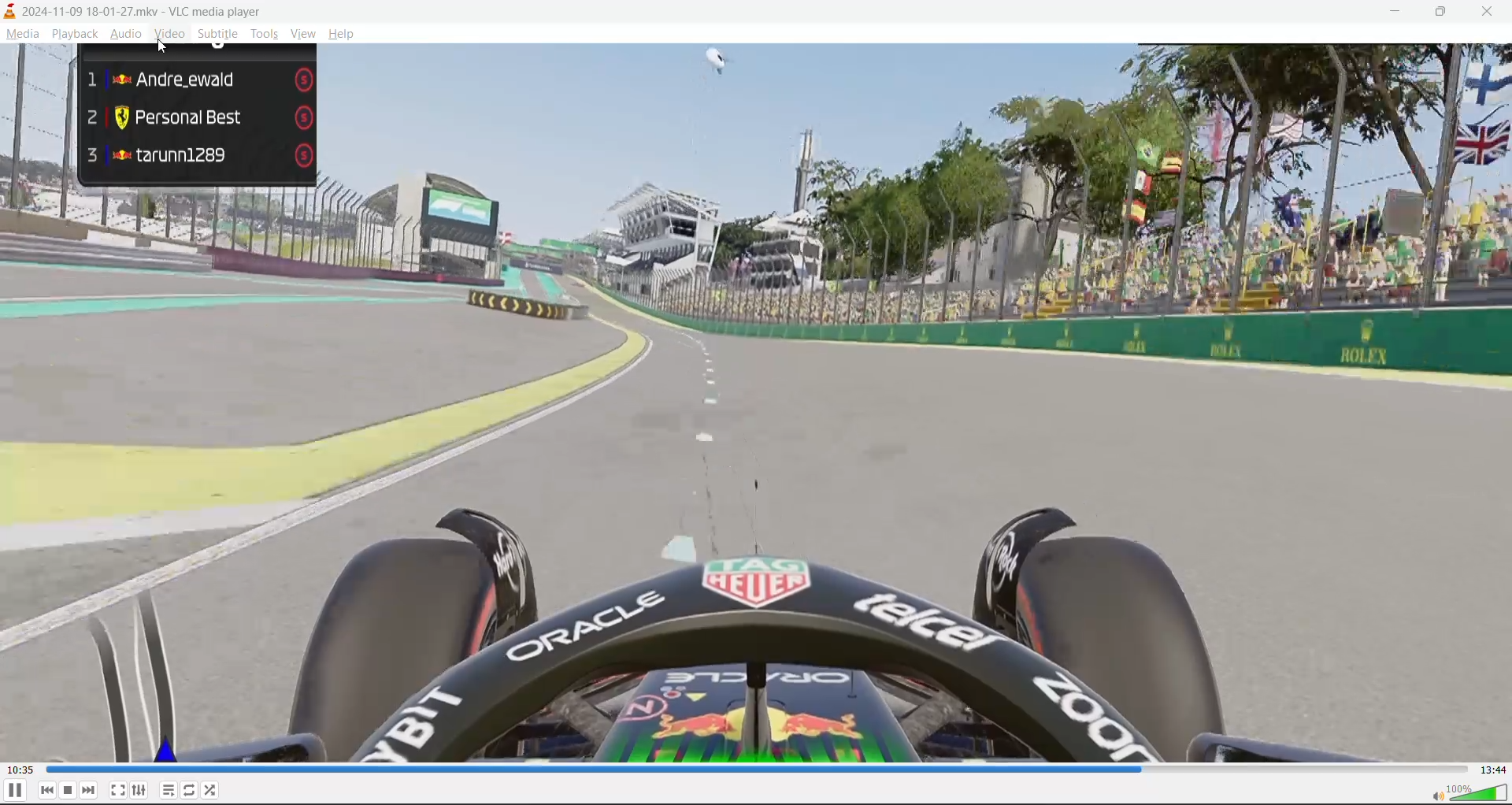  Describe the element at coordinates (20, 768) in the screenshot. I see `current track time` at that location.